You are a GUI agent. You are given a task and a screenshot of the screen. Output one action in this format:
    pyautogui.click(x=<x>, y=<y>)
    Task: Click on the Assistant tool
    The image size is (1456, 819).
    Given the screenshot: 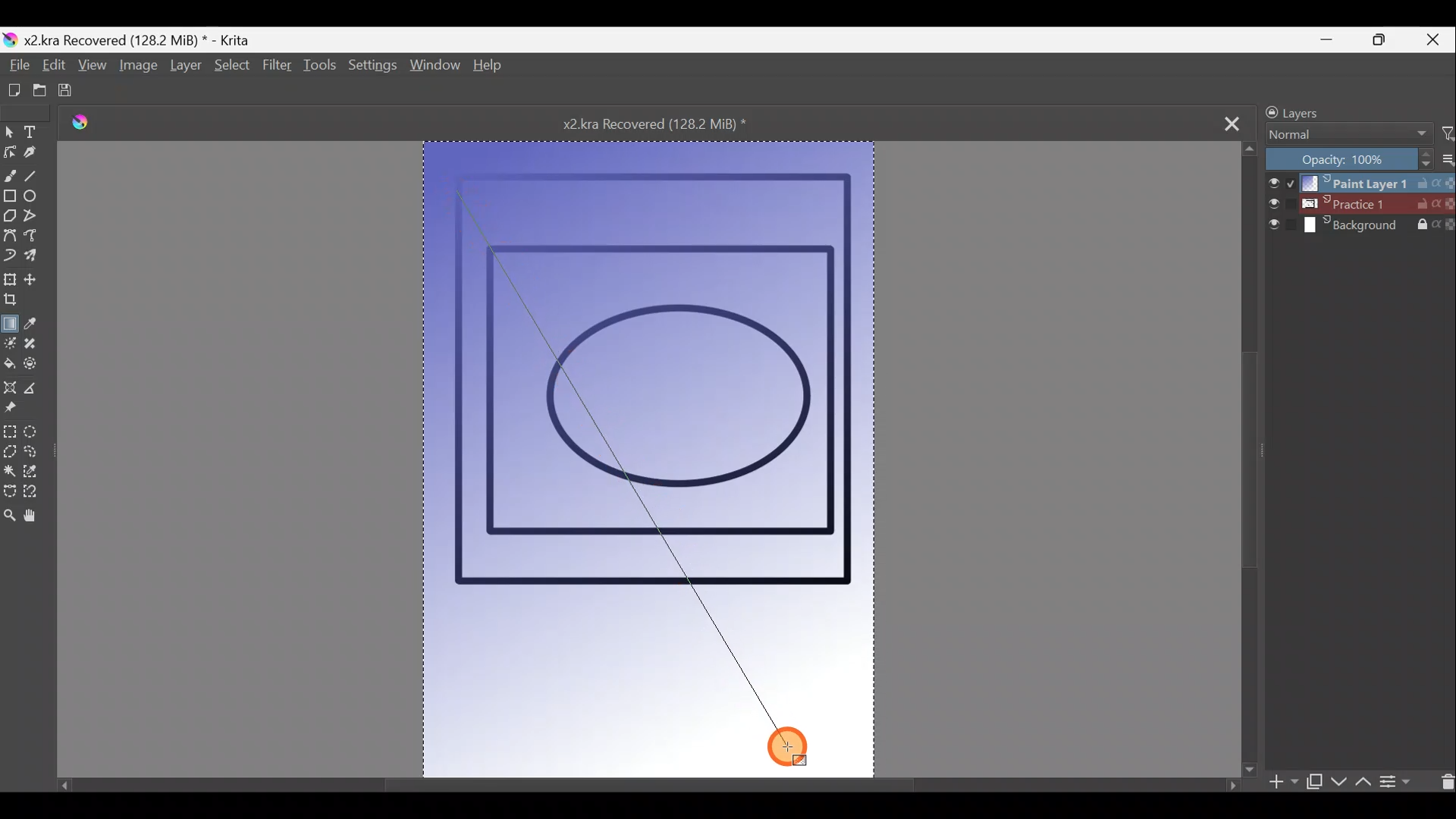 What is the action you would take?
    pyautogui.click(x=10, y=390)
    